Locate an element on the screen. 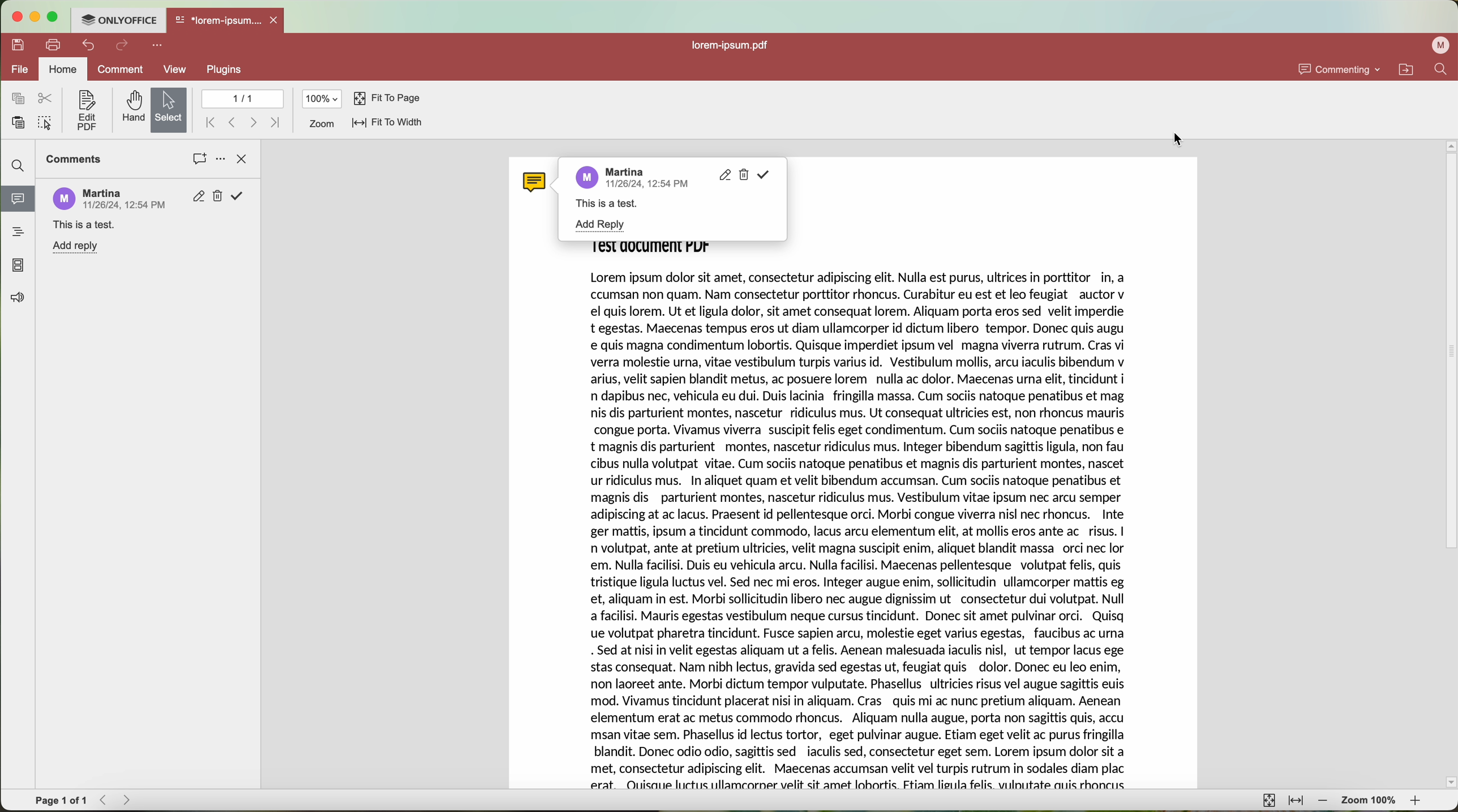  navigate locations is located at coordinates (1410, 69).